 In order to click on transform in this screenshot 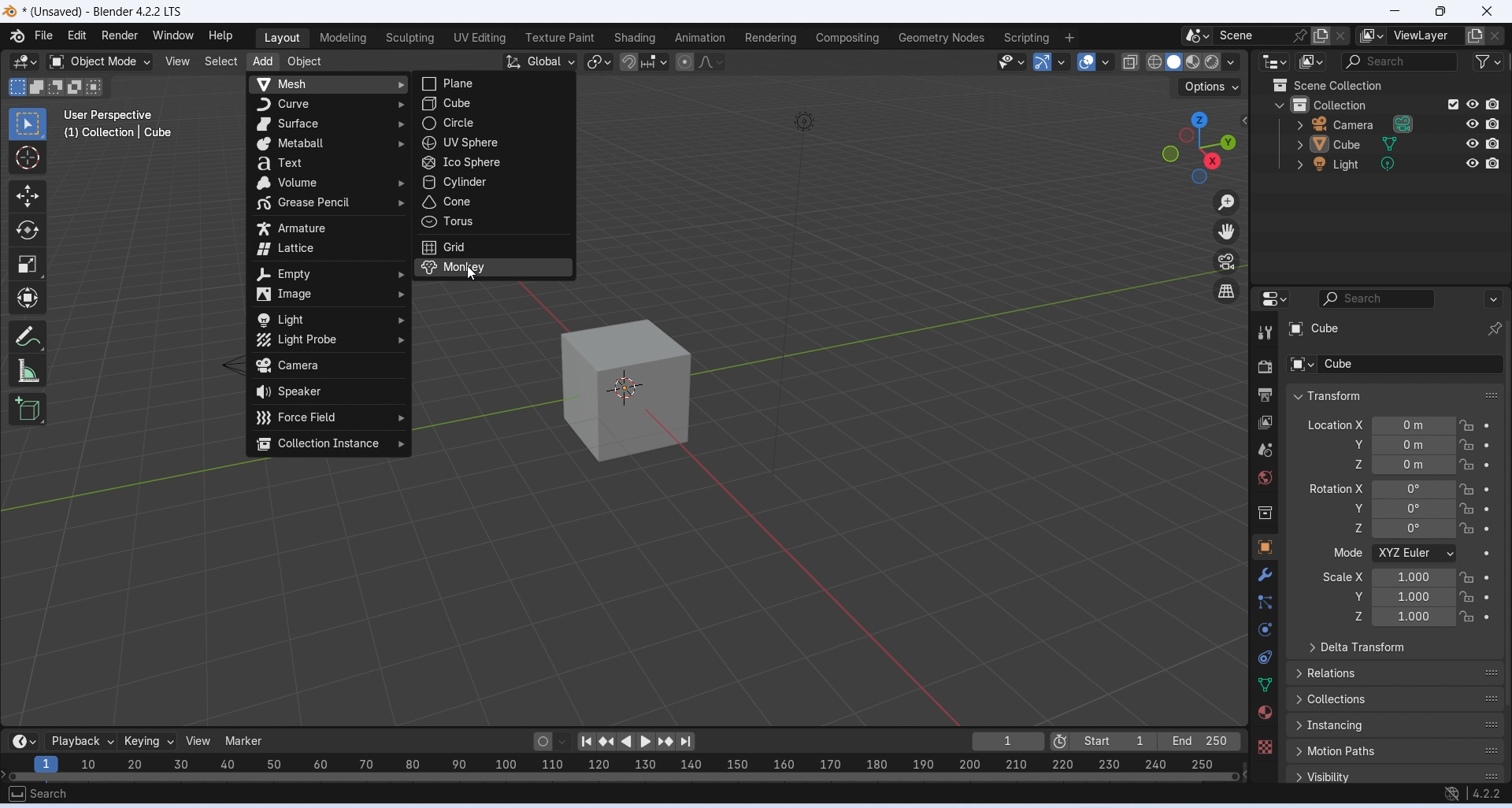, I will do `click(1395, 395)`.